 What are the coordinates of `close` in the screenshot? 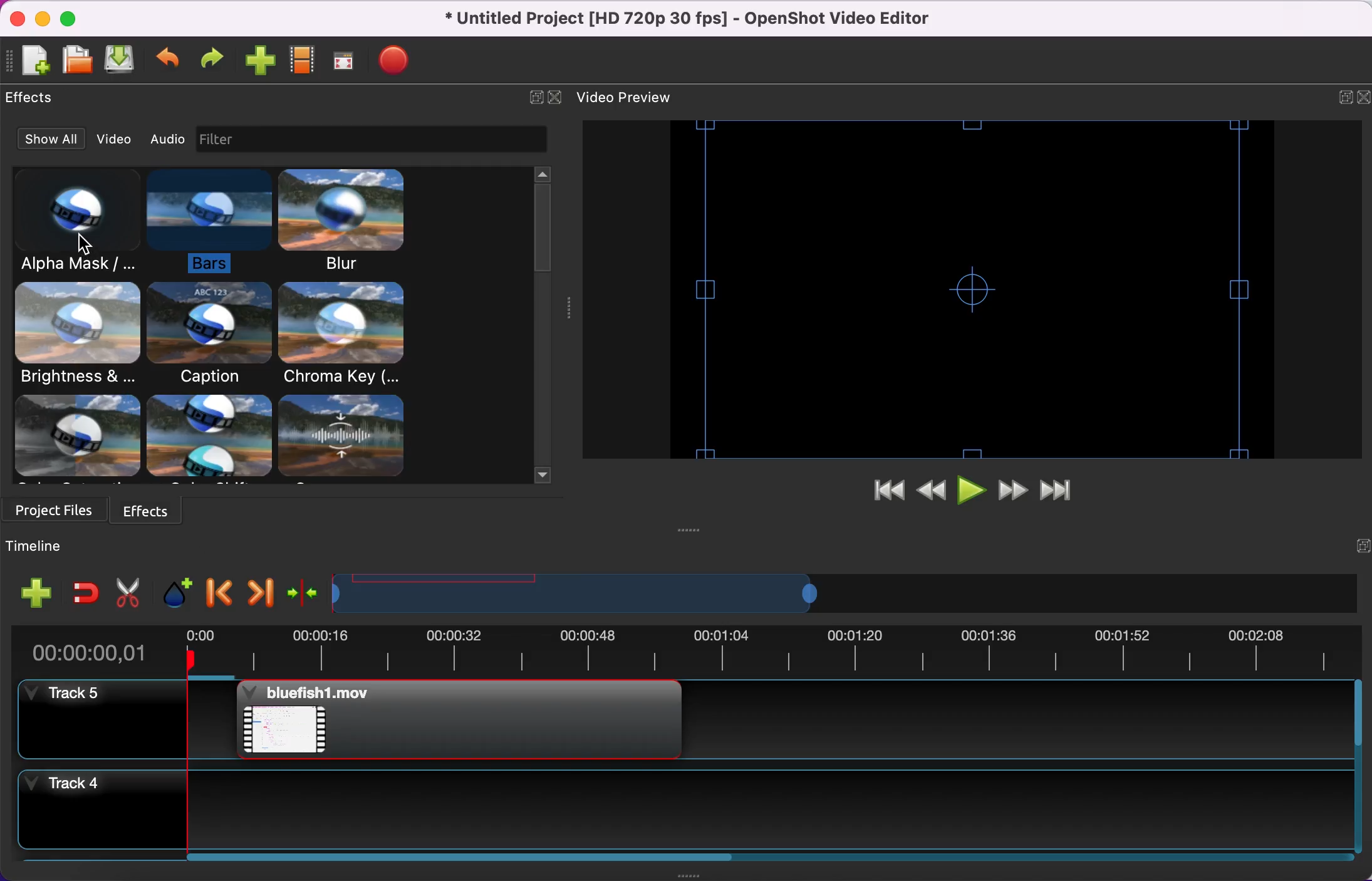 It's located at (1363, 102).